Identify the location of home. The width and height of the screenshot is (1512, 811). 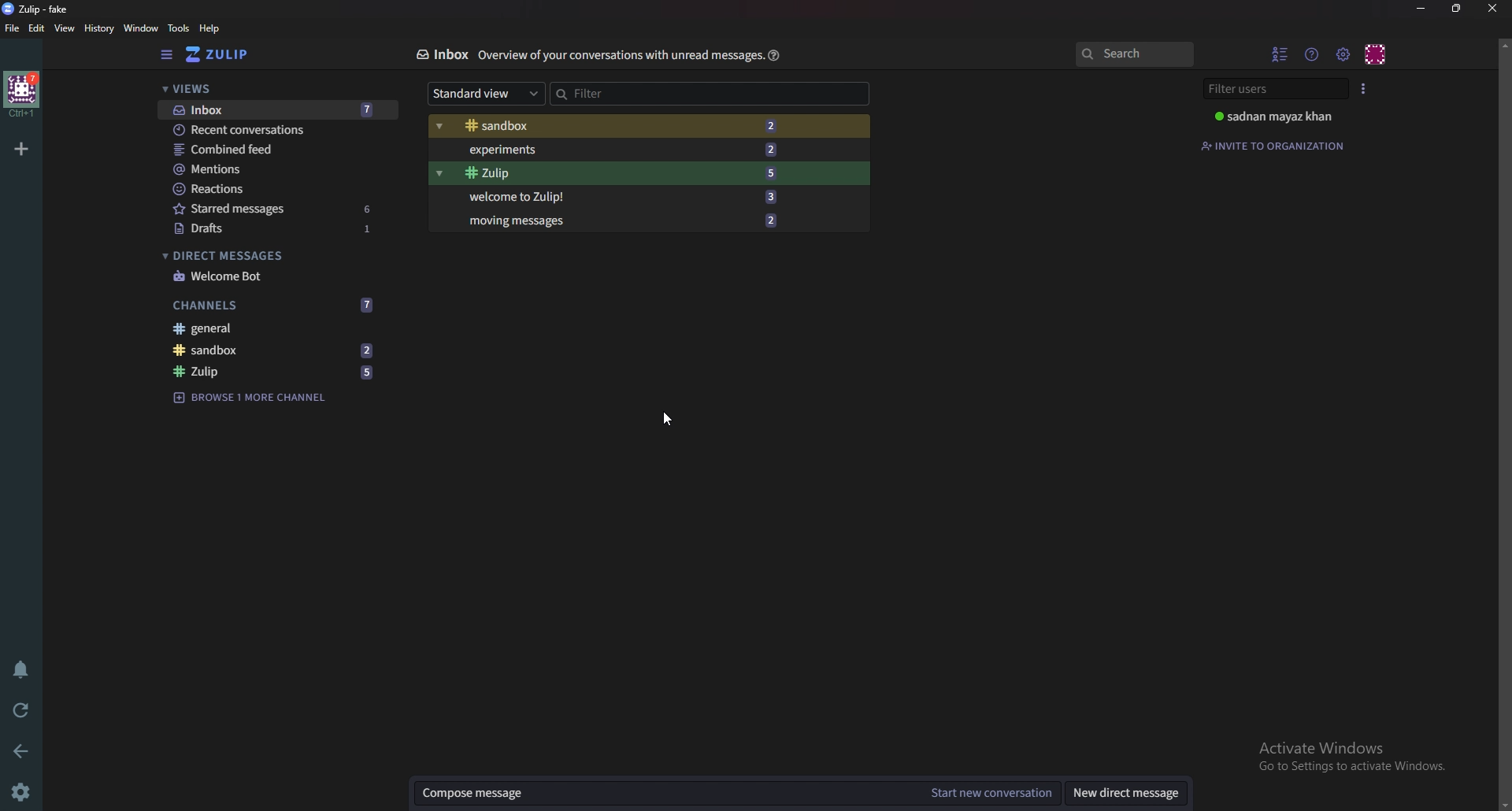
(24, 93).